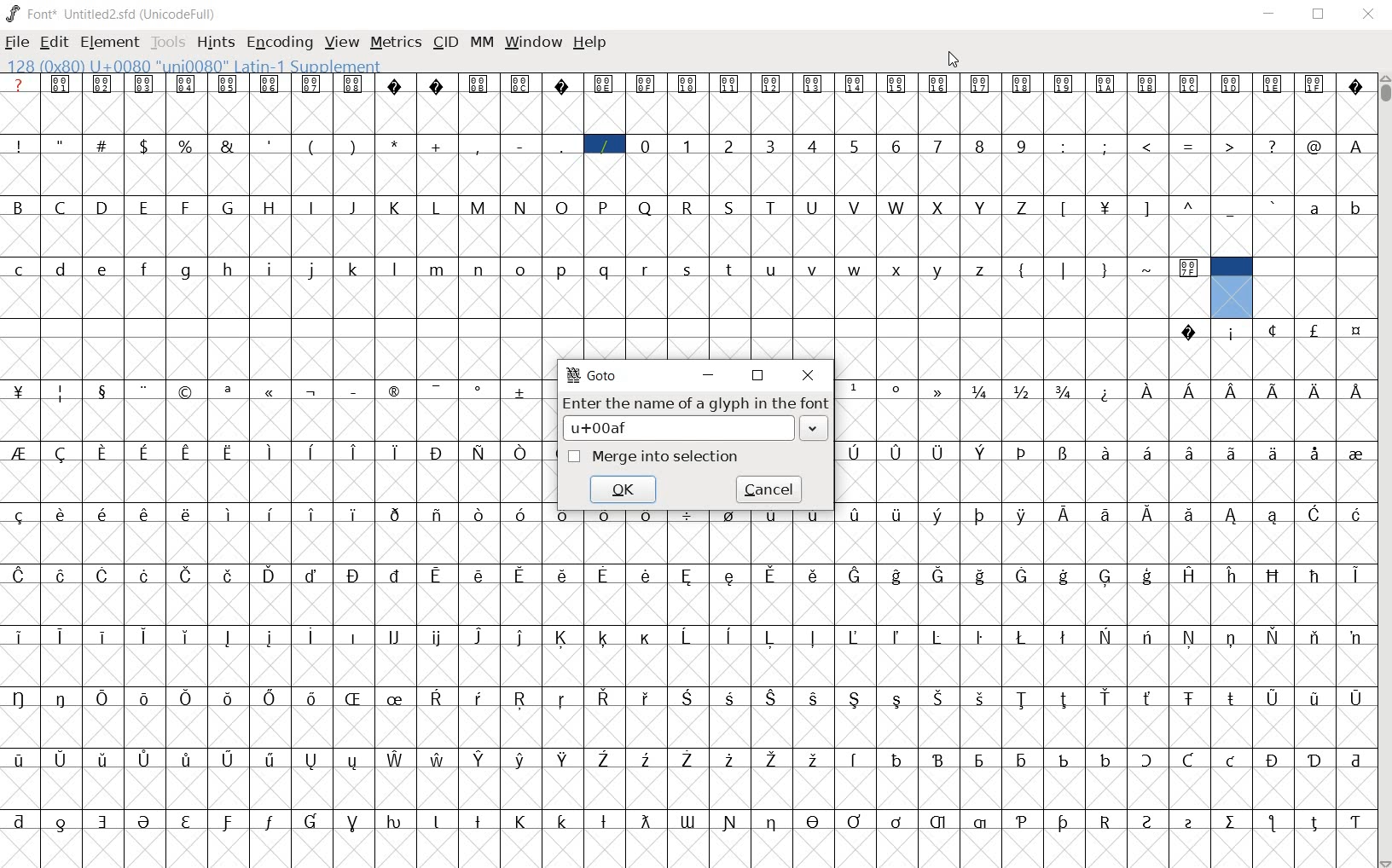 This screenshot has width=1392, height=868. What do you see at coordinates (481, 390) in the screenshot?
I see `Symbol` at bounding box center [481, 390].